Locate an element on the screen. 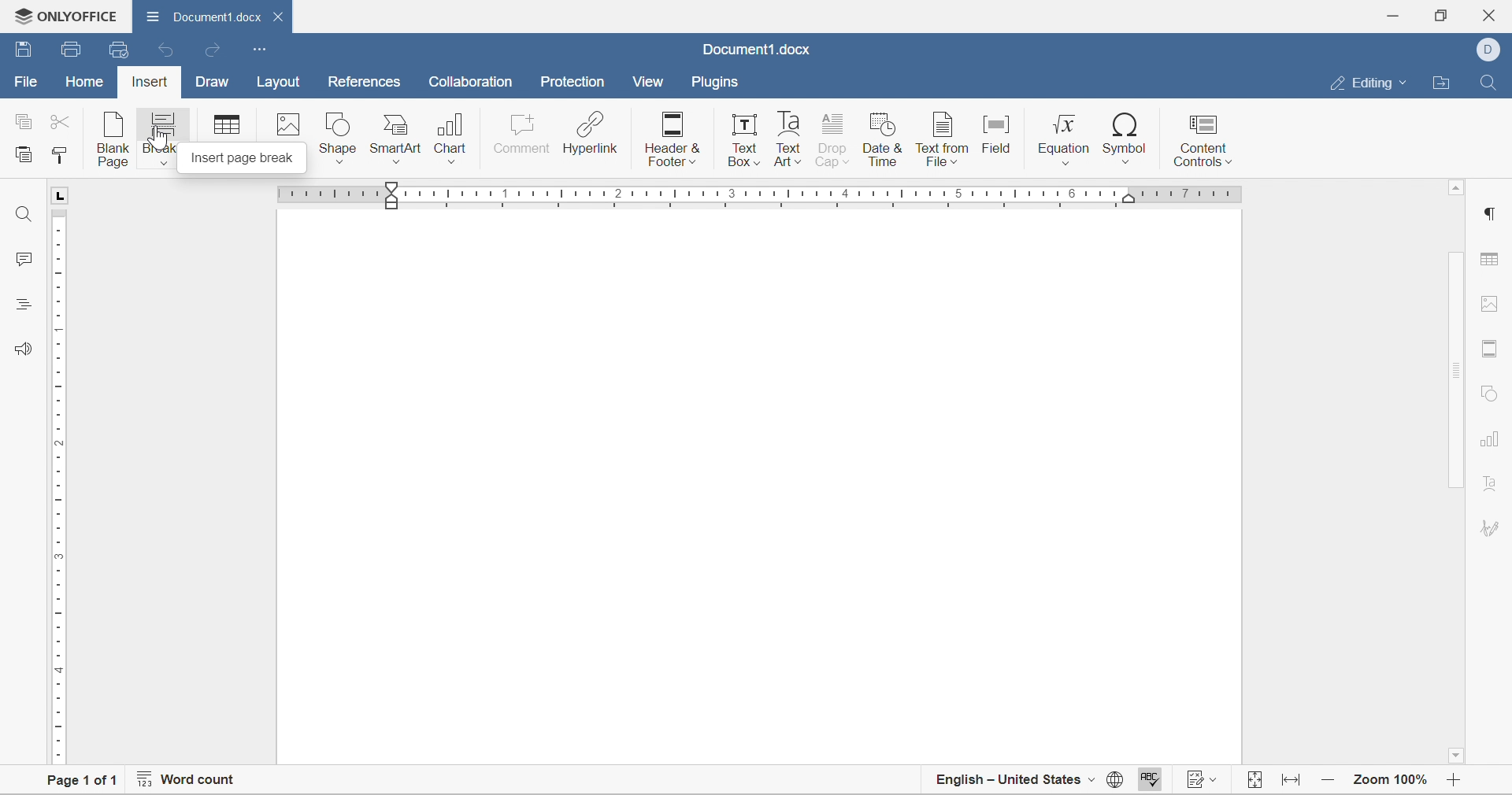 The width and height of the screenshot is (1512, 795). Insert page break is located at coordinates (239, 160).